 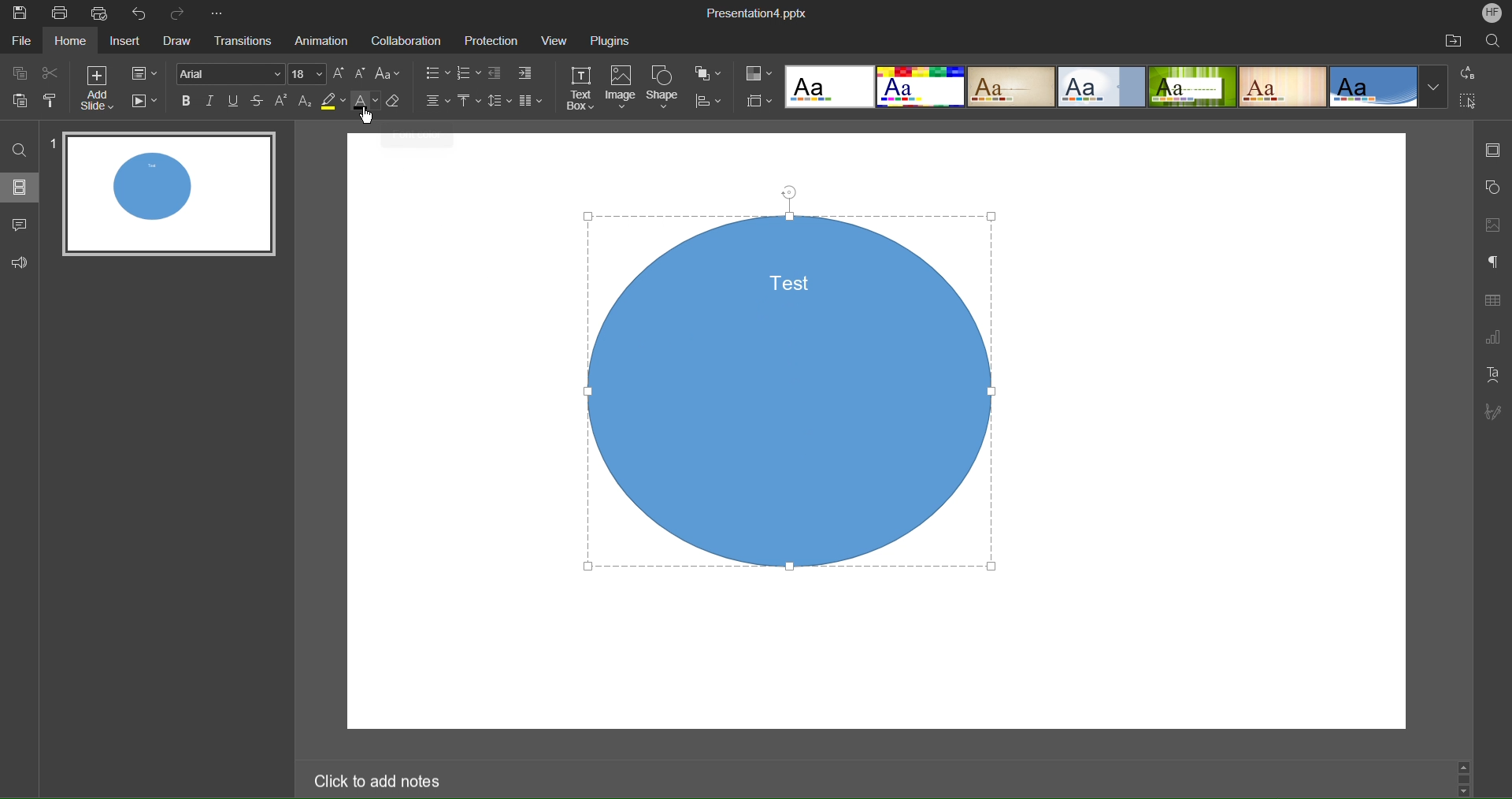 What do you see at coordinates (440, 101) in the screenshot?
I see `Alignment` at bounding box center [440, 101].